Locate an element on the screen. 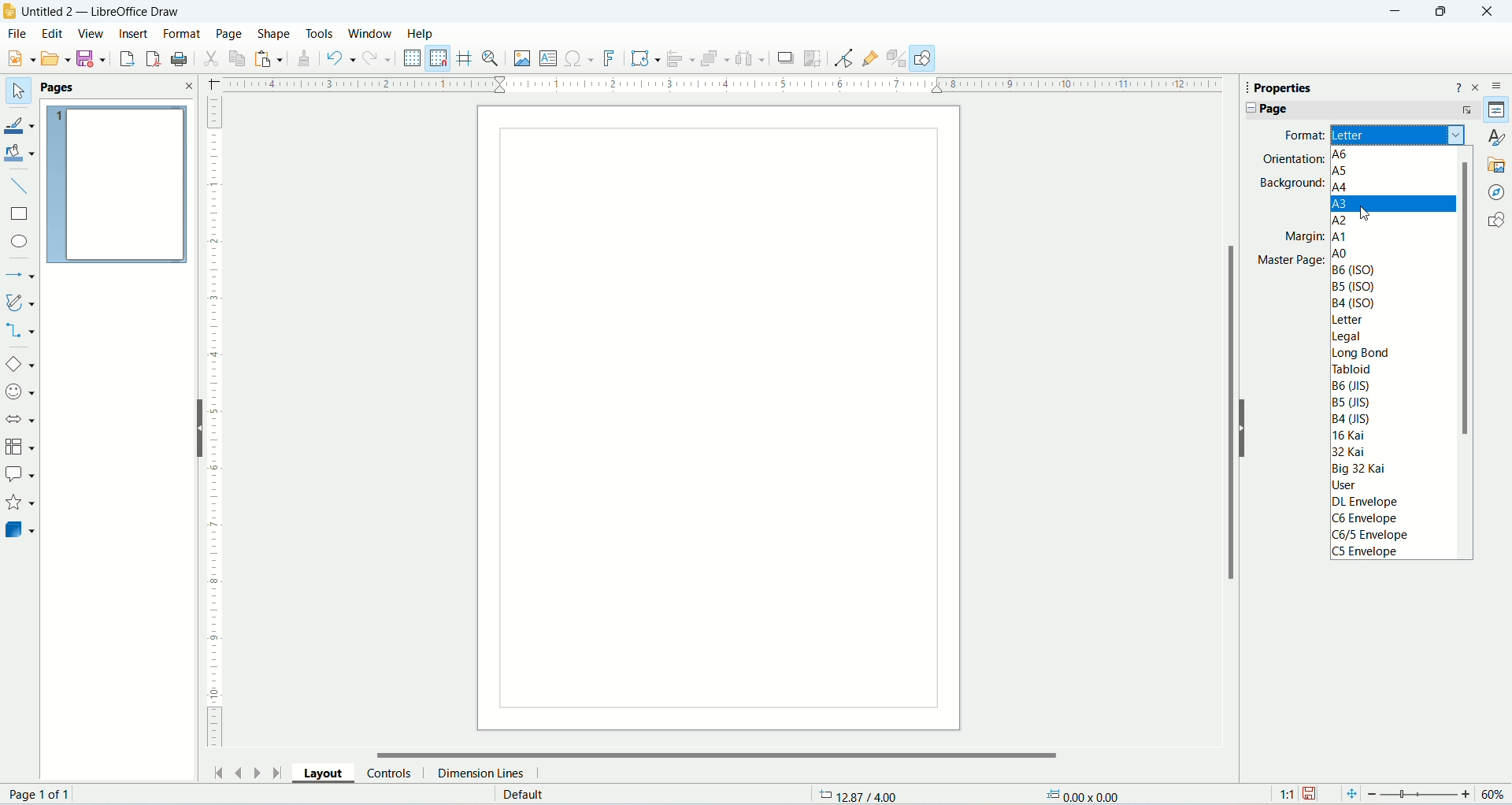 The width and height of the screenshot is (1512, 805). default is located at coordinates (527, 794).